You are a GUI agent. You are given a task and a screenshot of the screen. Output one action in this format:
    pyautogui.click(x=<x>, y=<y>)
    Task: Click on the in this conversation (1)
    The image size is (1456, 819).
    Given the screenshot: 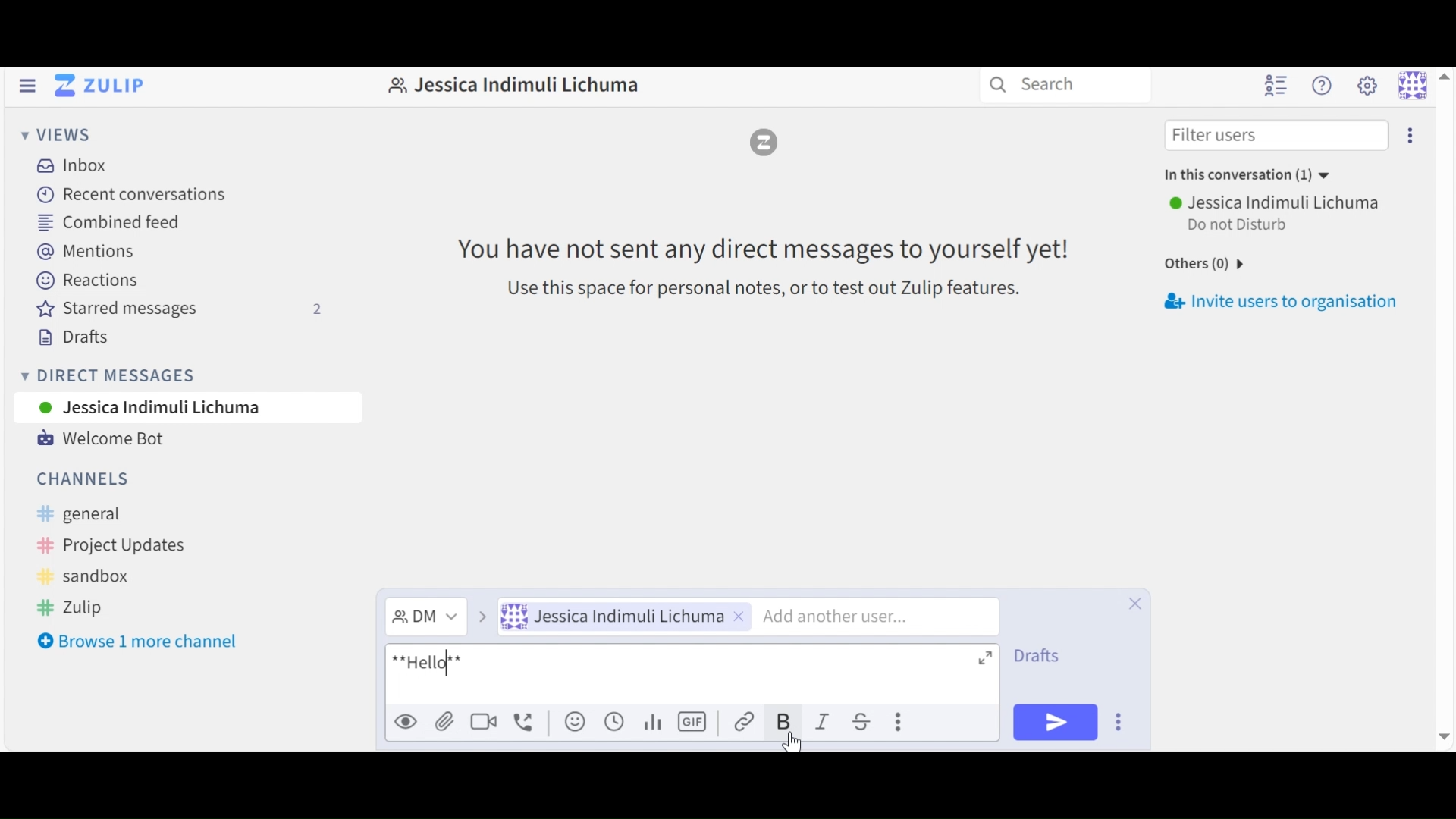 What is the action you would take?
    pyautogui.click(x=1250, y=174)
    